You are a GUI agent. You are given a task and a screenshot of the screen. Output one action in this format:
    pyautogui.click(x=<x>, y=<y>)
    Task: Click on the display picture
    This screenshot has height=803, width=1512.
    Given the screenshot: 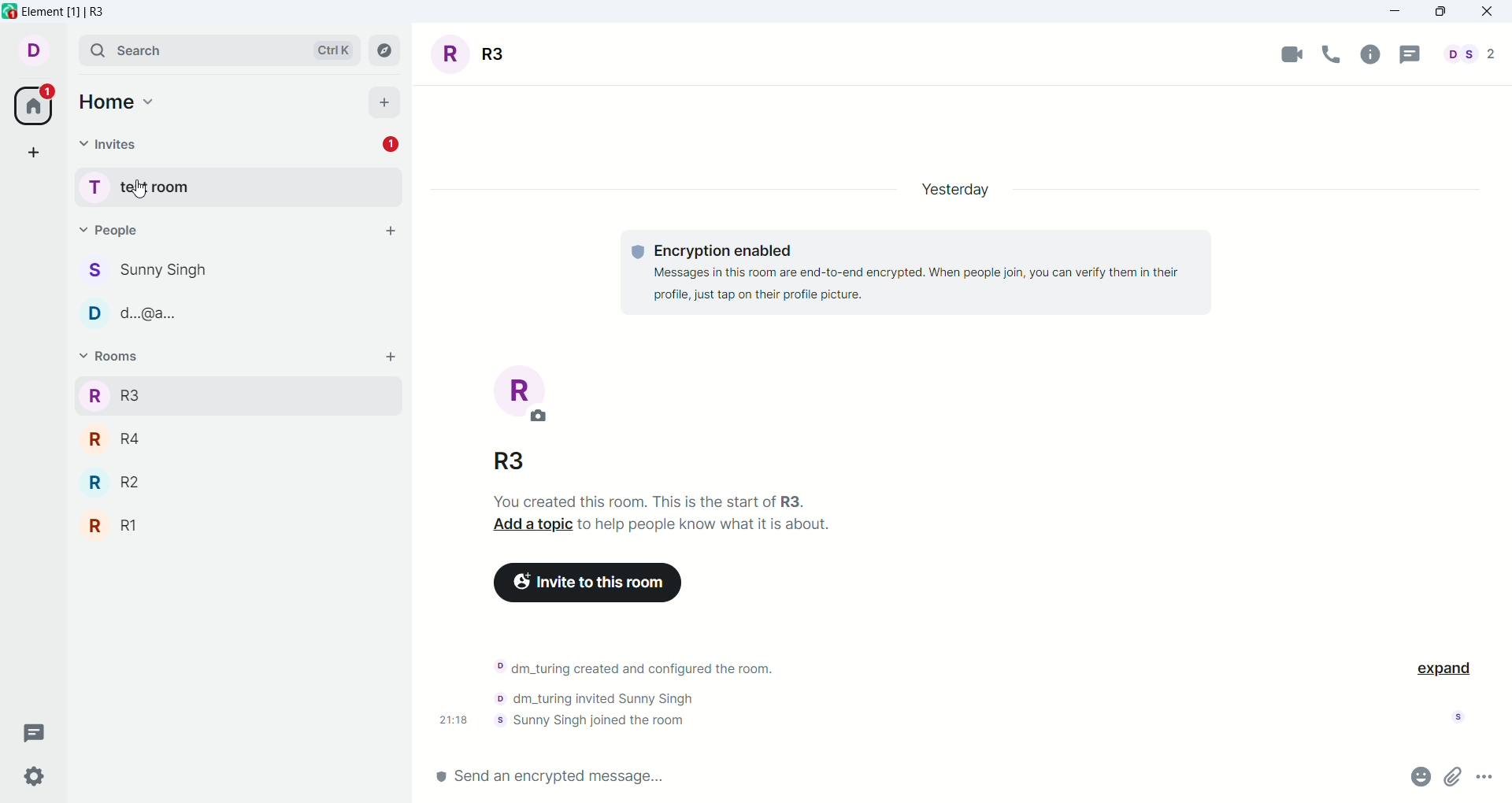 What is the action you would take?
    pyautogui.click(x=517, y=393)
    